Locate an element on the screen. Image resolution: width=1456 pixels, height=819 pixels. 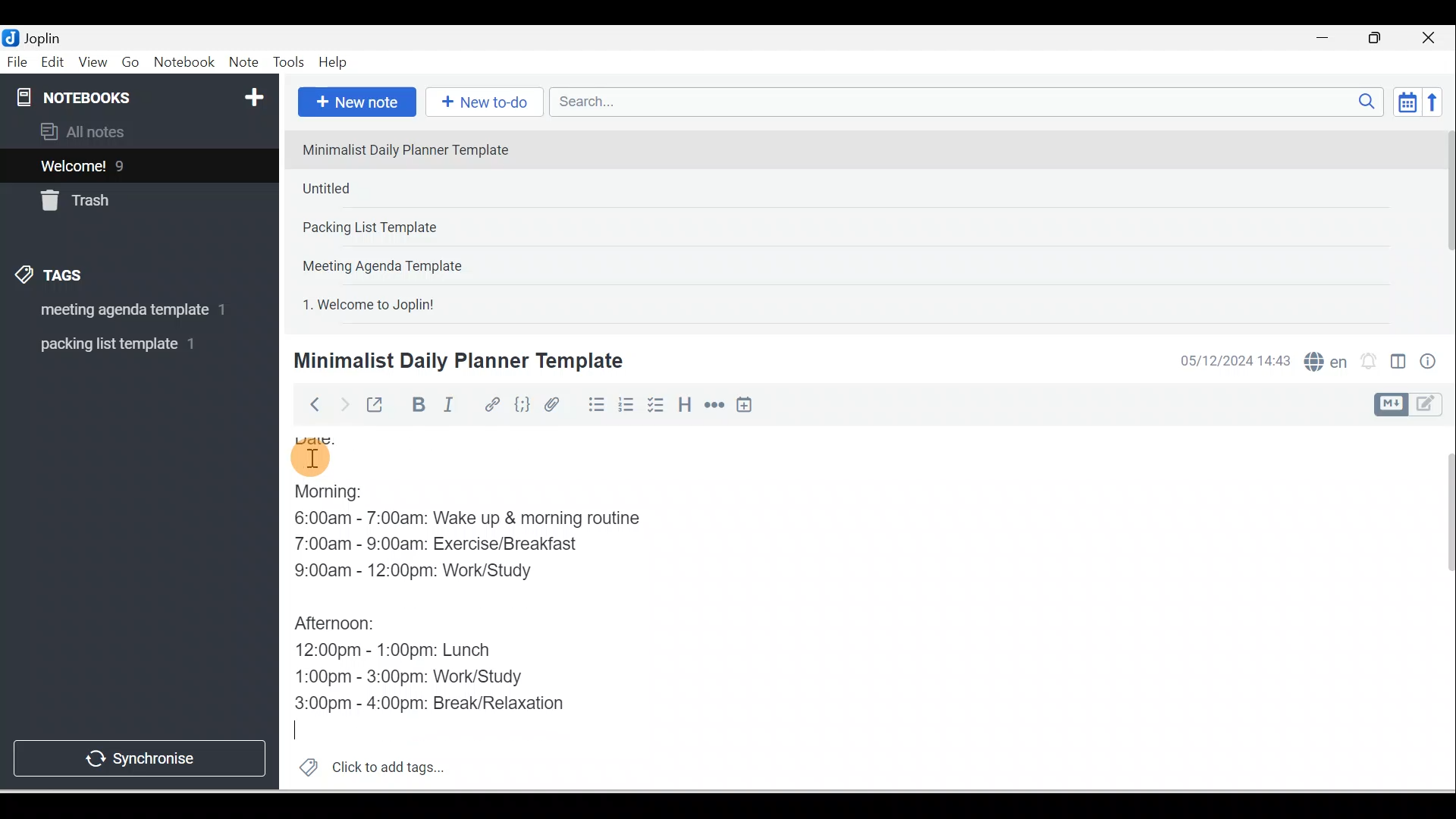
Attach file is located at coordinates (556, 404).